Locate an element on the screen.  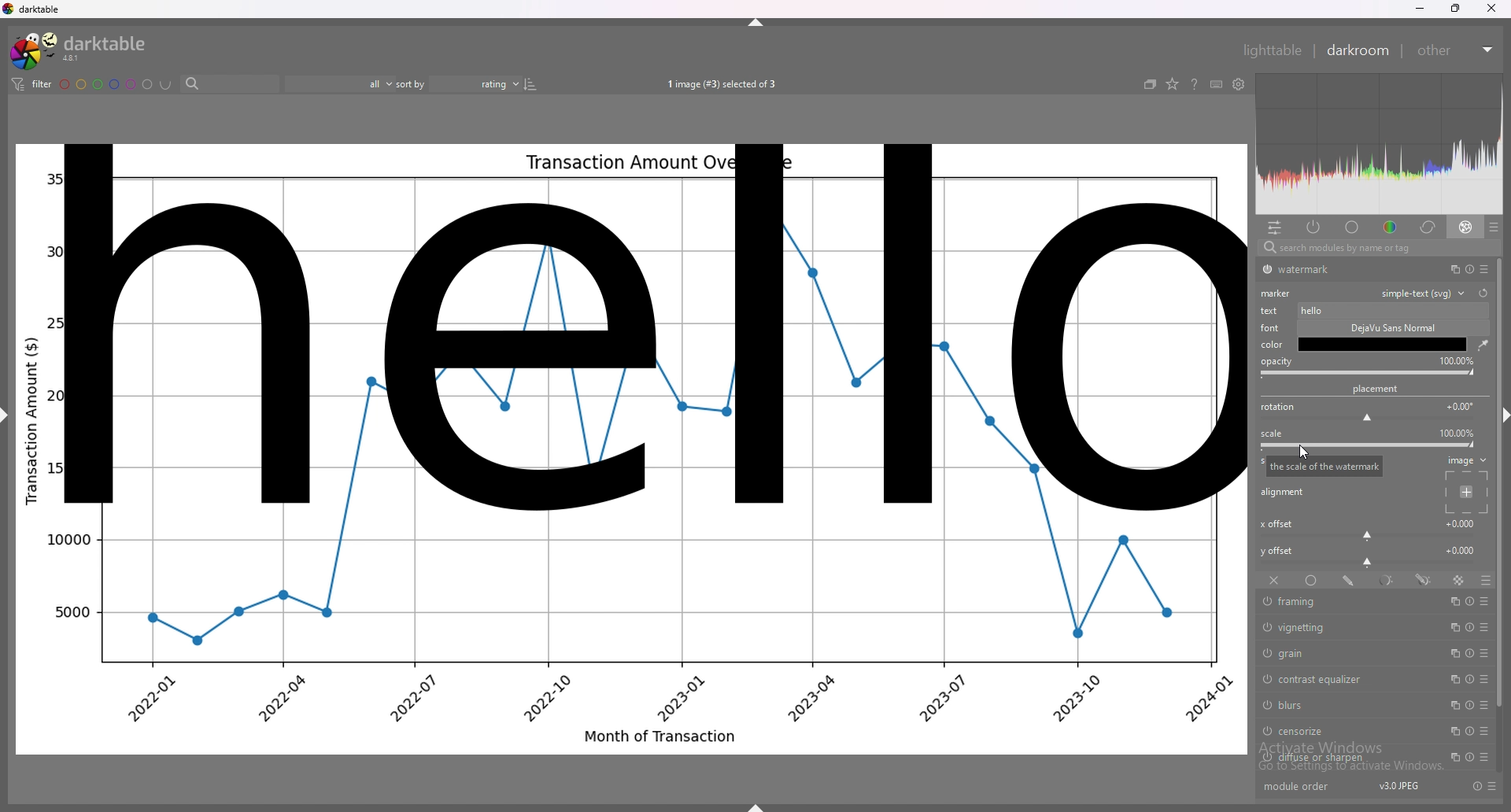
switch off is located at coordinates (1265, 652).